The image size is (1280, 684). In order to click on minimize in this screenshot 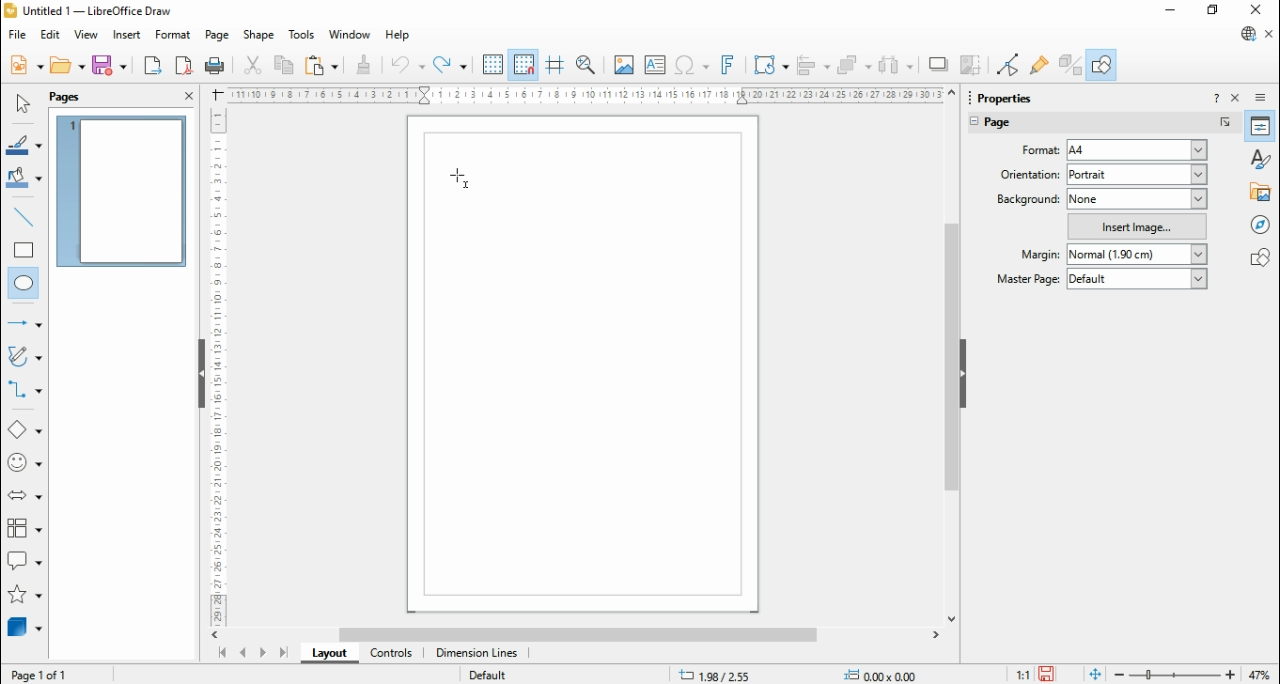, I will do `click(1172, 10)`.